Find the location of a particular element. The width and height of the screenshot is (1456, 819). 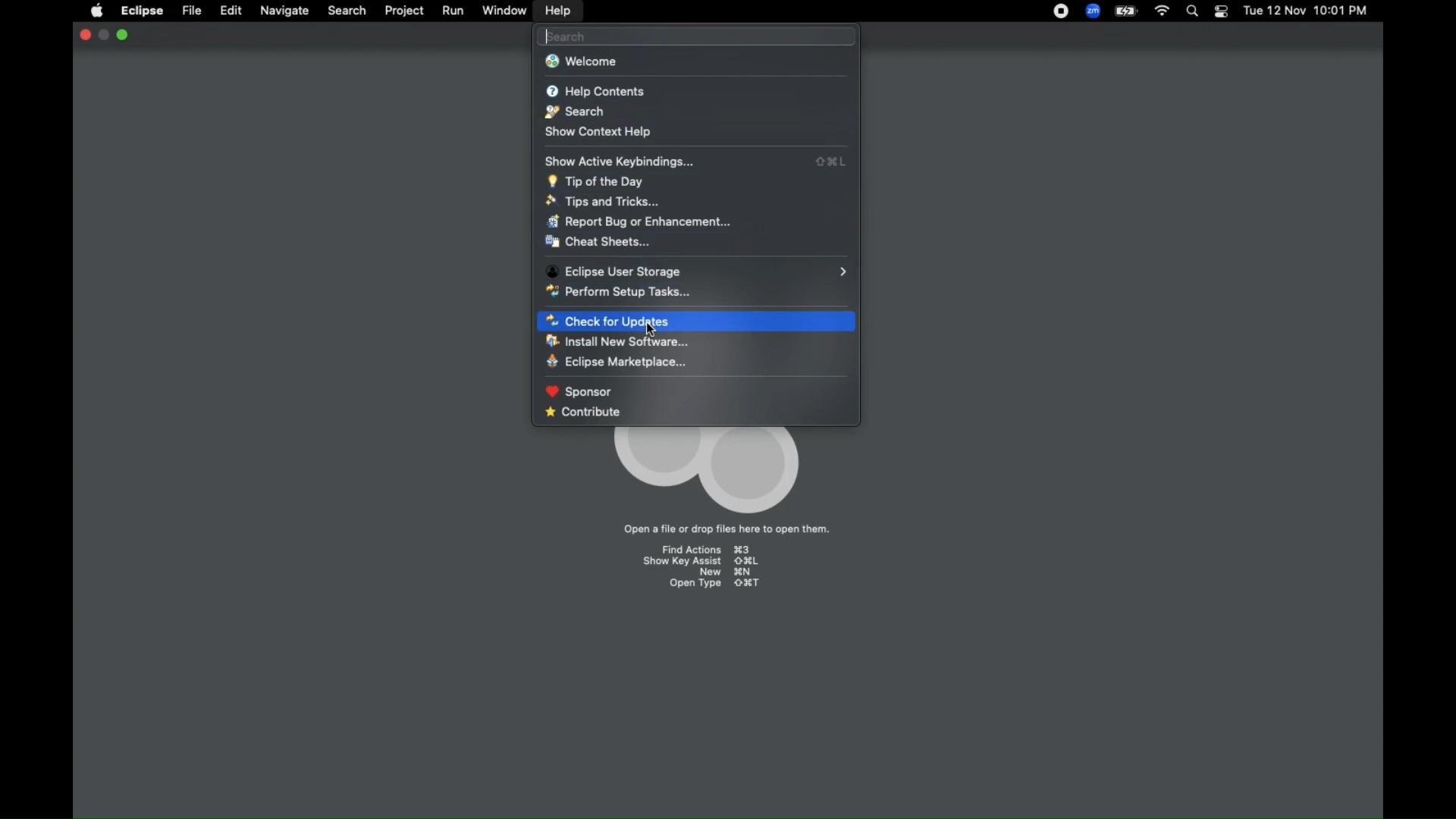

Help Contents is located at coordinates (697, 91).